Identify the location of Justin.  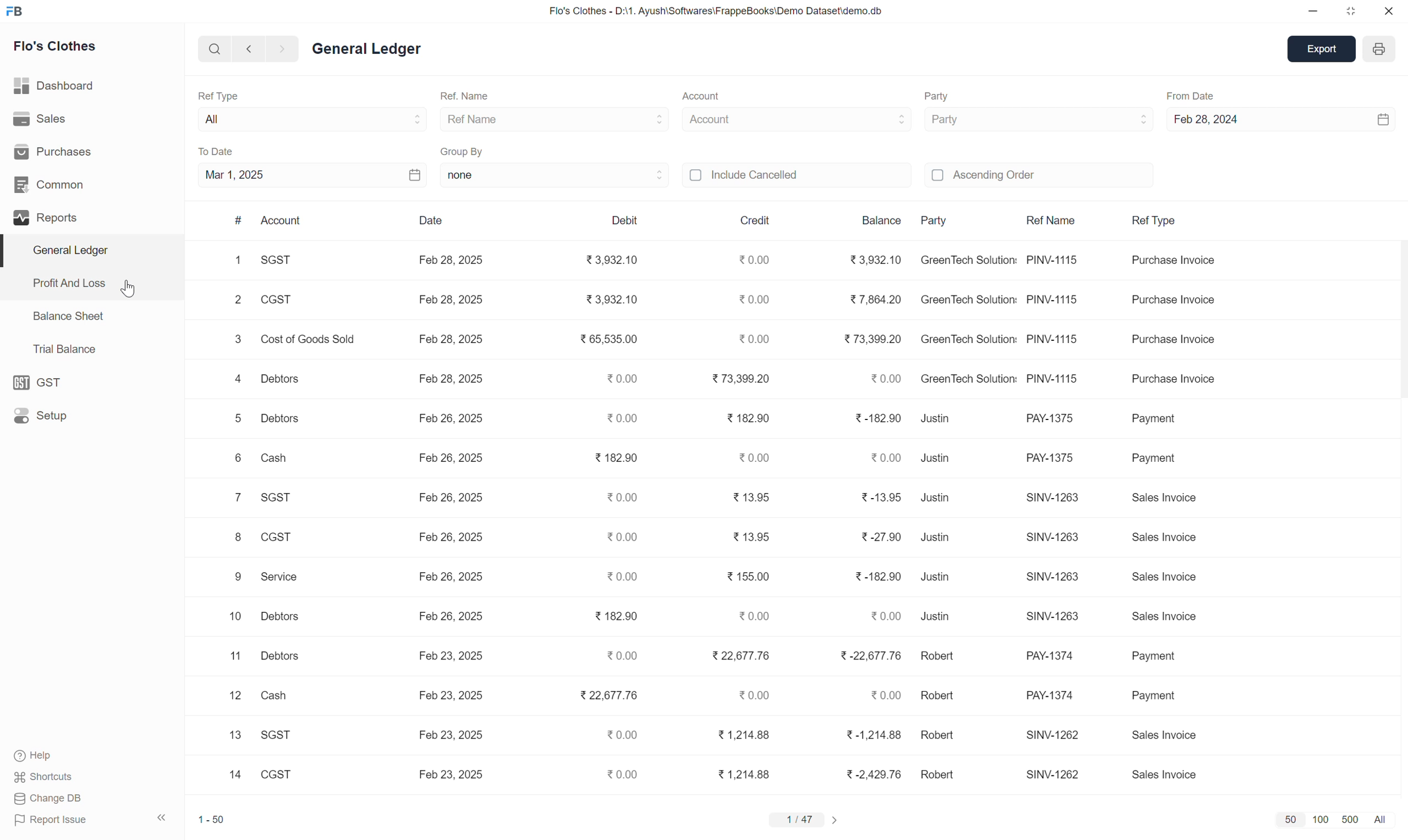
(941, 578).